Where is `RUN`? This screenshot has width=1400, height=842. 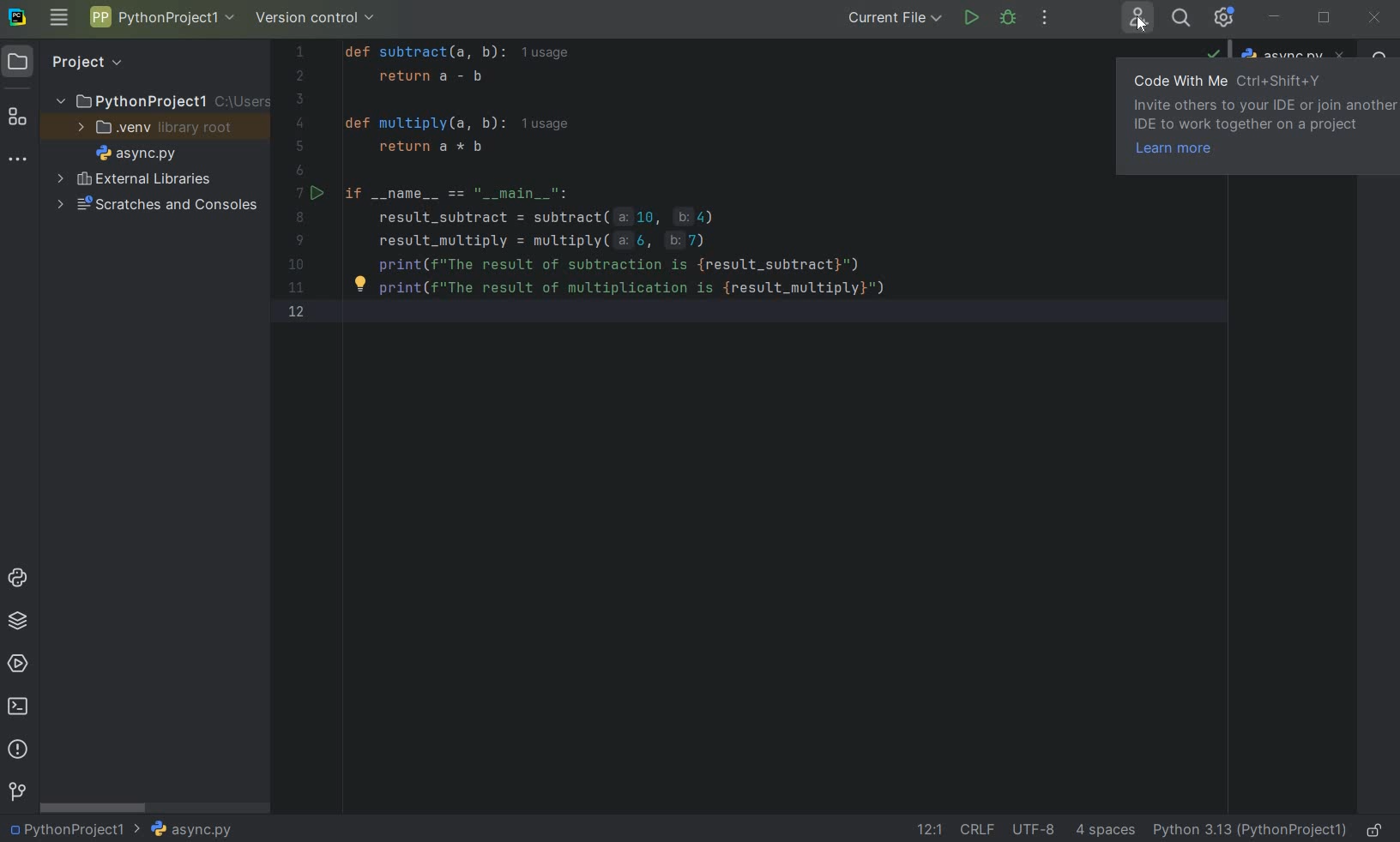 RUN is located at coordinates (973, 19).